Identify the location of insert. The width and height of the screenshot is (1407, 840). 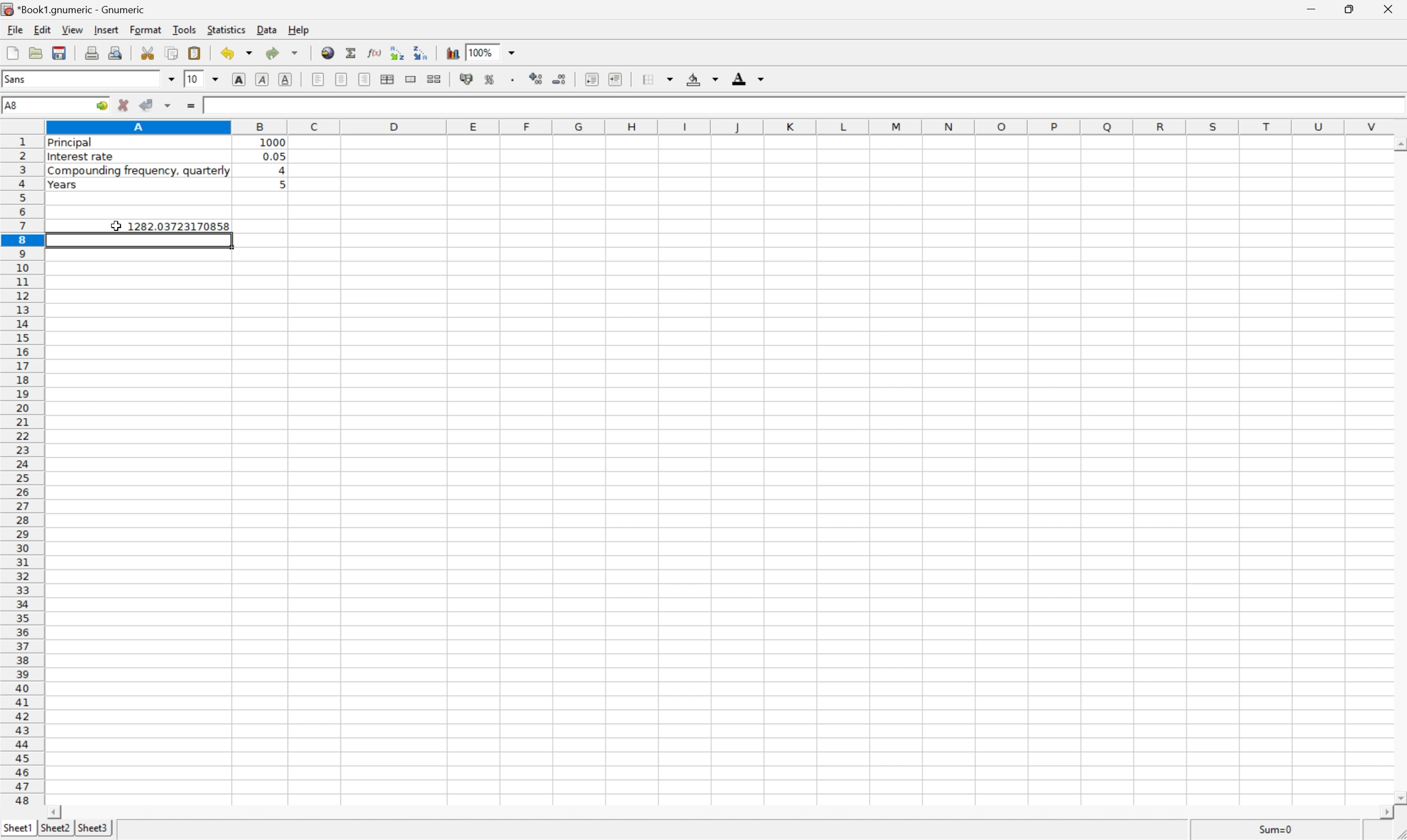
(105, 31).